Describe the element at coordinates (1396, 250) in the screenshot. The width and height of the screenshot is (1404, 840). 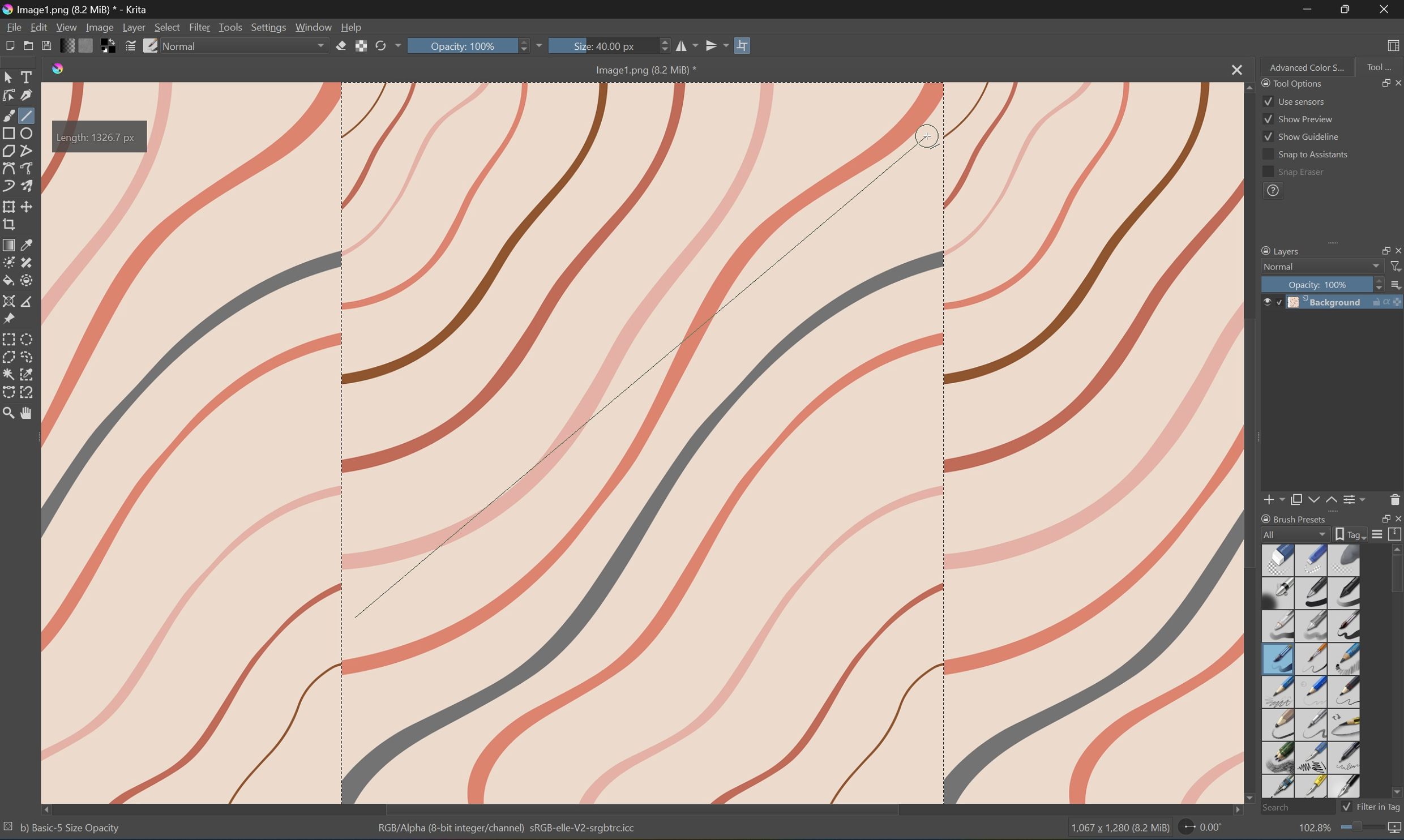
I see `Close` at that location.